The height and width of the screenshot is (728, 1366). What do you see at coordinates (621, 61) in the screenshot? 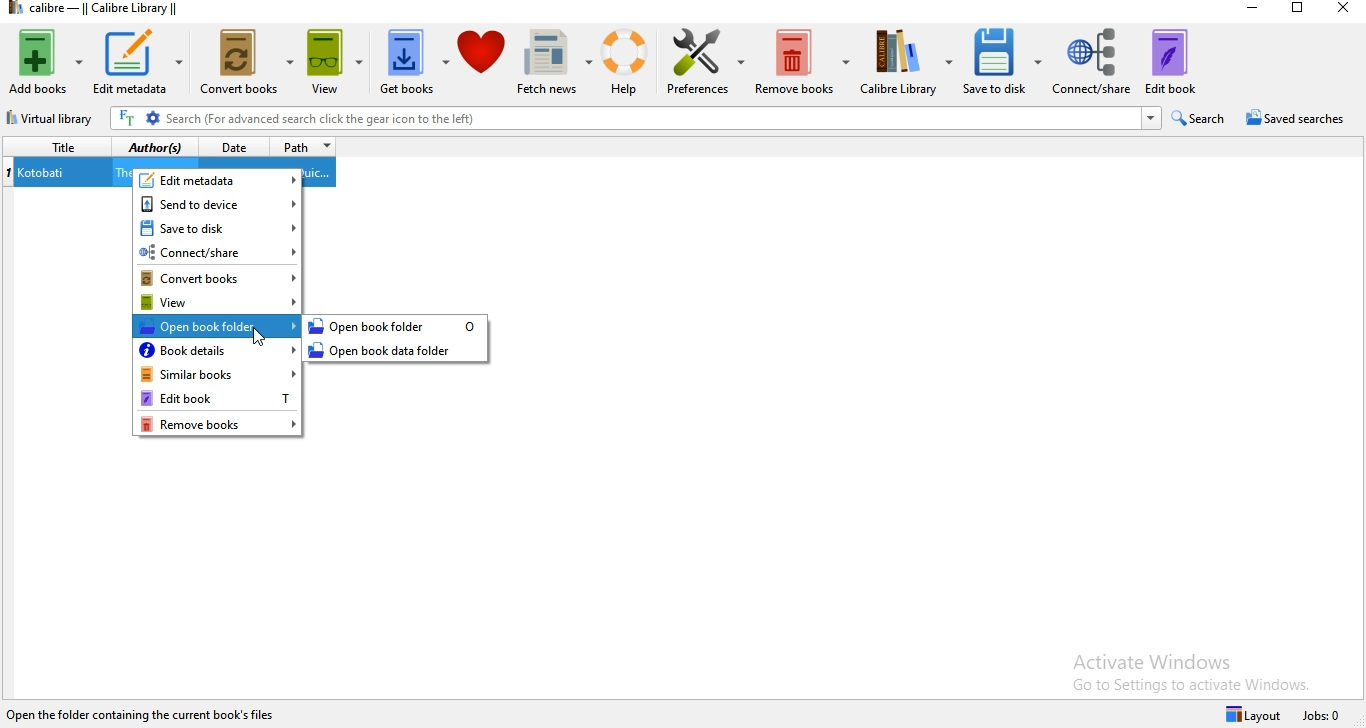
I see `help` at bounding box center [621, 61].